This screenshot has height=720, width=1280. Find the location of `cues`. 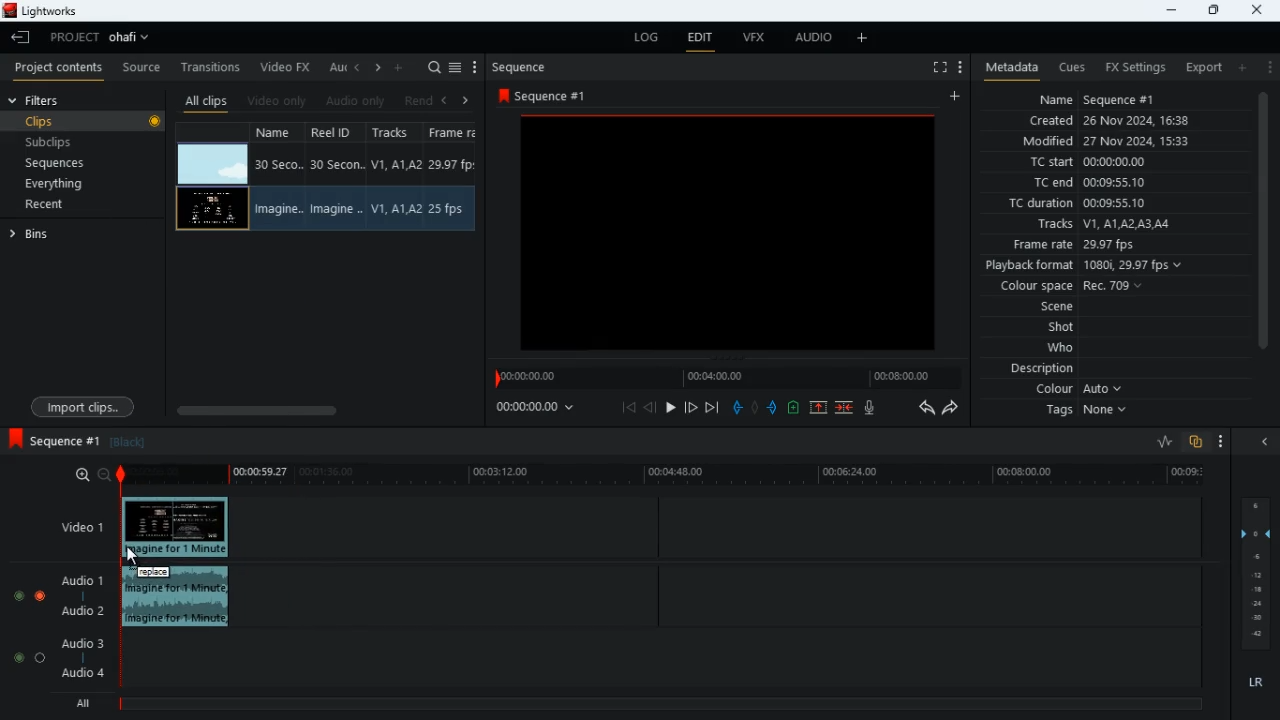

cues is located at coordinates (1073, 68).